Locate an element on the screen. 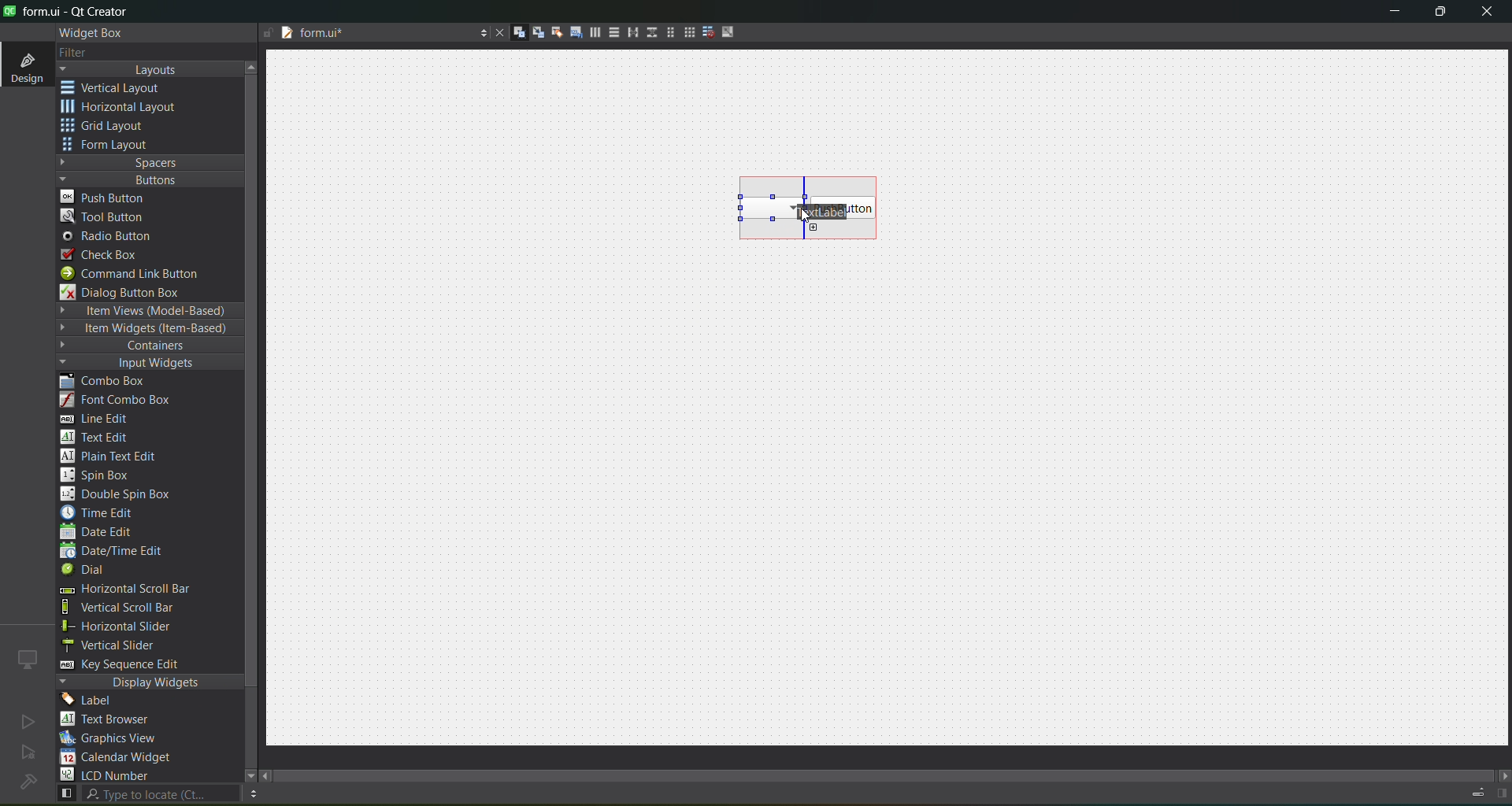 Image resolution: width=1512 pixels, height=806 pixels. widget box is located at coordinates (94, 33).